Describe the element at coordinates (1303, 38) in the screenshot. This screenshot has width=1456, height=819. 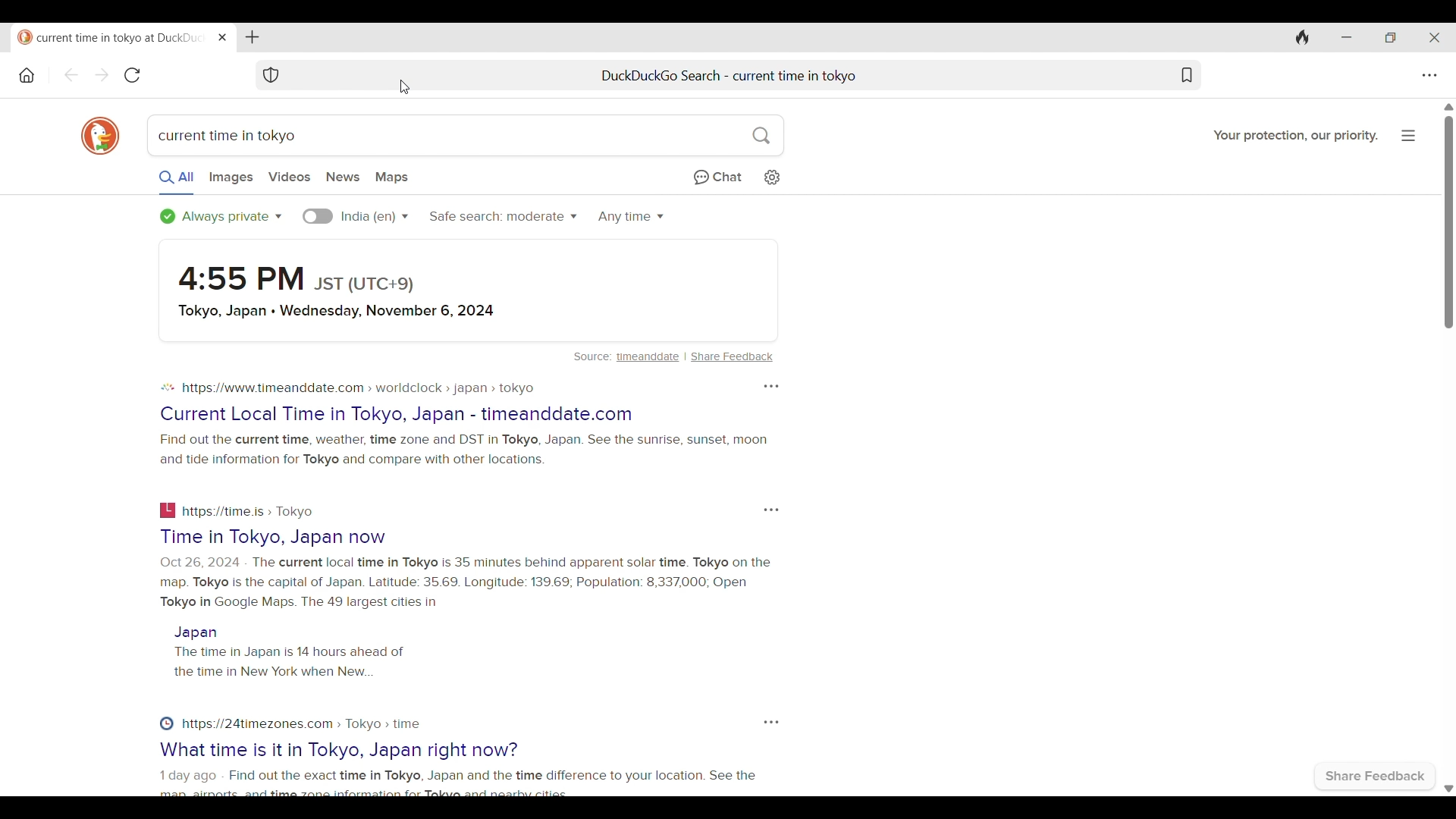
I see `Clear browsing history` at that location.